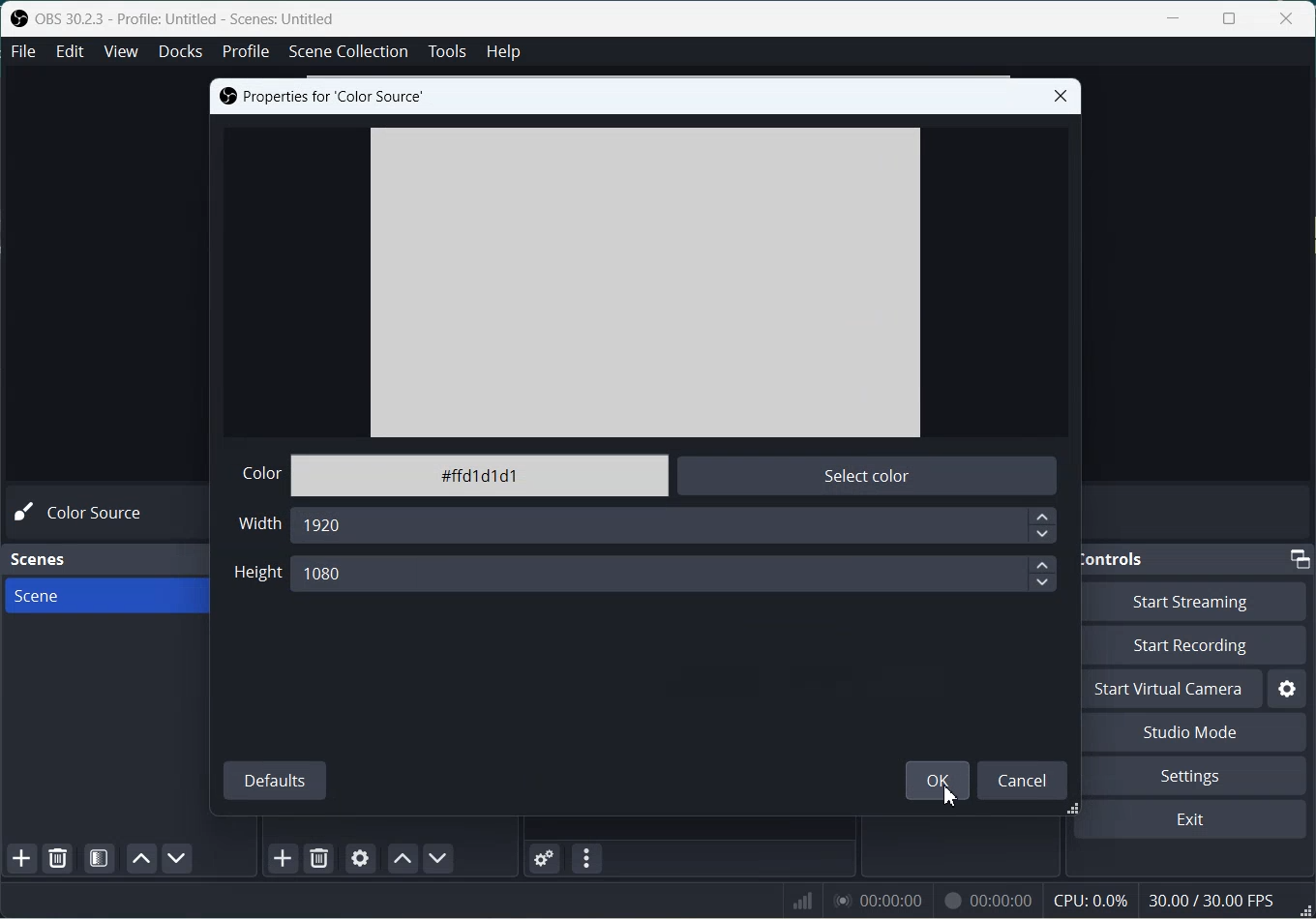 This screenshot has width=1316, height=919. Describe the element at coordinates (1061, 97) in the screenshot. I see `Close` at that location.